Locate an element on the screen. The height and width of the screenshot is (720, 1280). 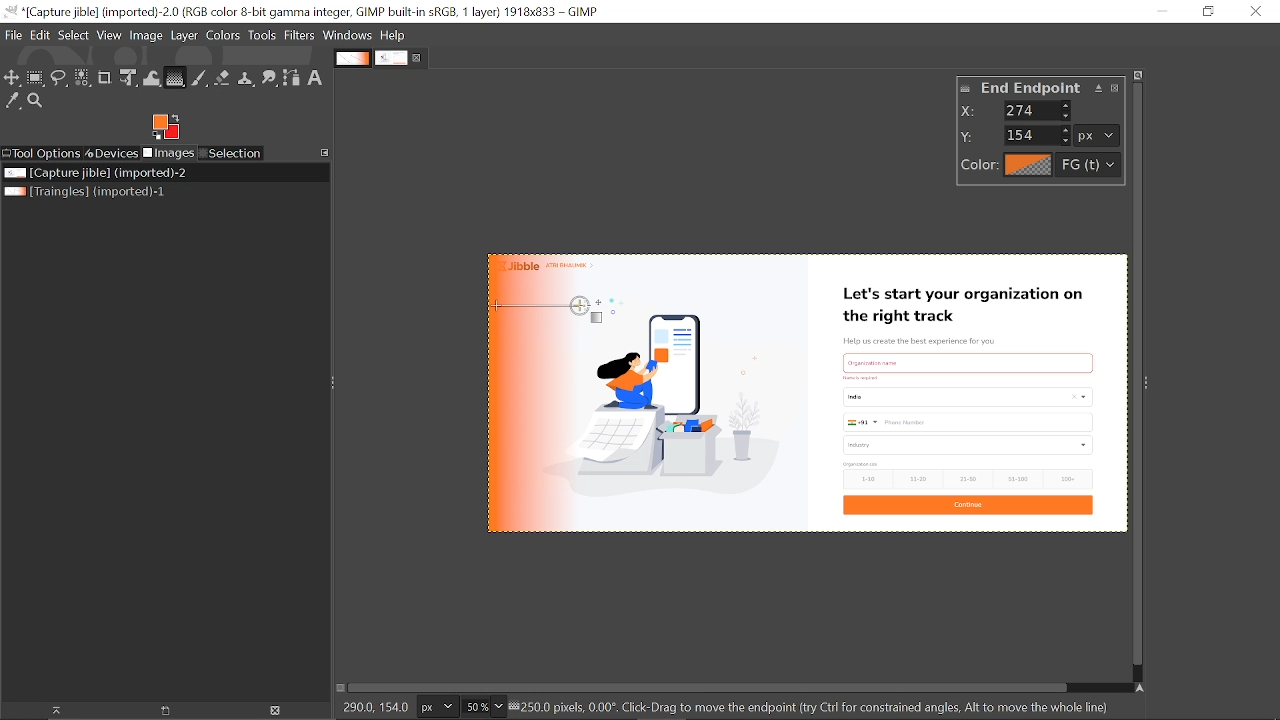
Other tab is located at coordinates (352, 58).